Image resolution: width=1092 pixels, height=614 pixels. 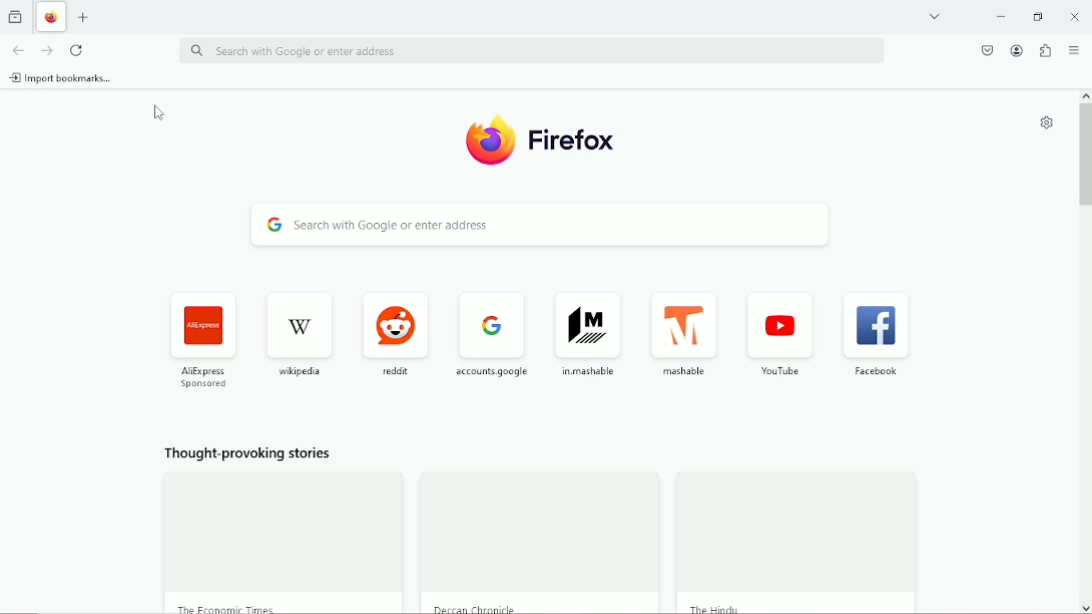 What do you see at coordinates (591, 334) in the screenshot?
I see `in.mashable` at bounding box center [591, 334].